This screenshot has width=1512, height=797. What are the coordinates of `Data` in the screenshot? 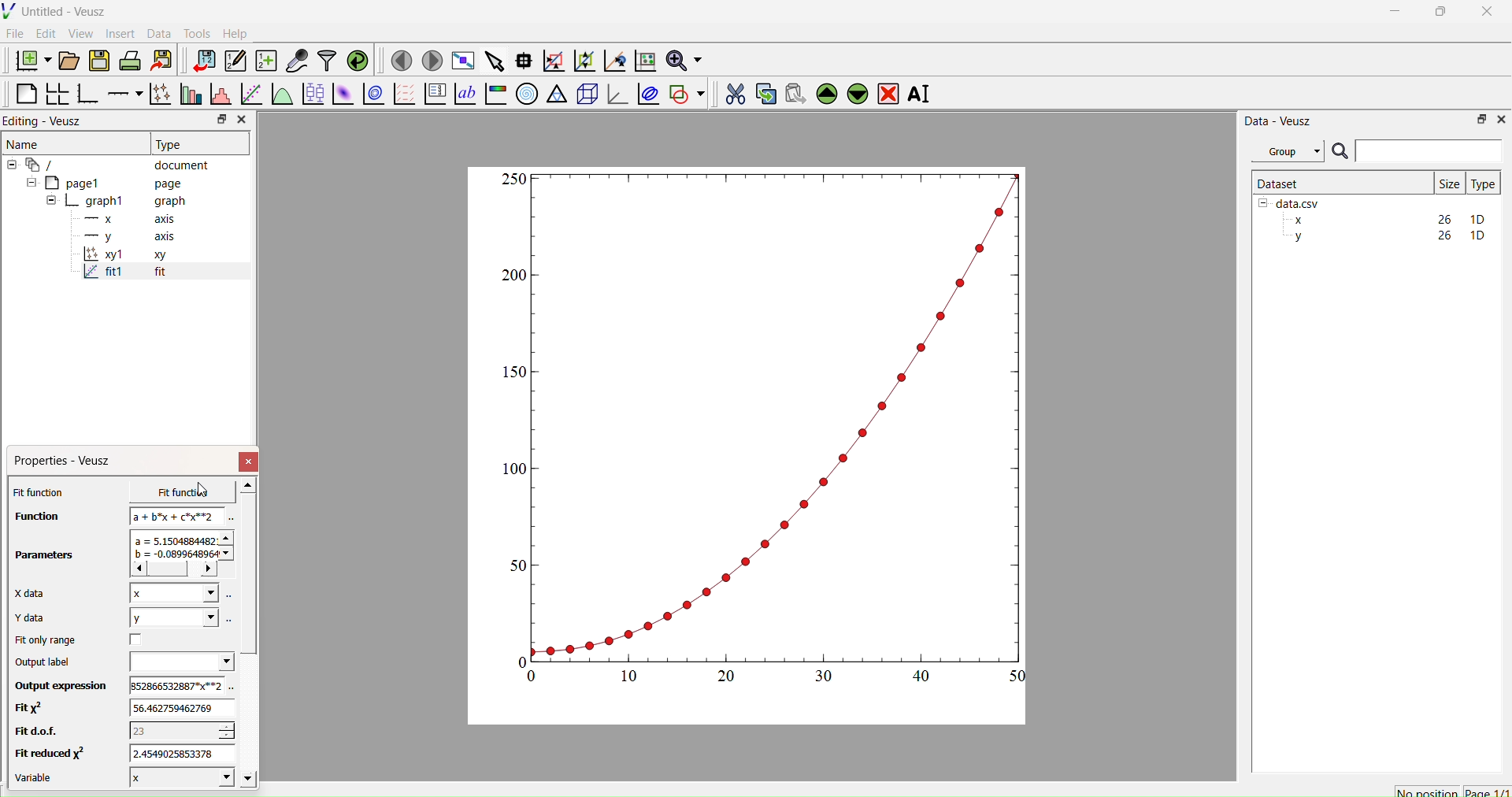 It's located at (158, 34).